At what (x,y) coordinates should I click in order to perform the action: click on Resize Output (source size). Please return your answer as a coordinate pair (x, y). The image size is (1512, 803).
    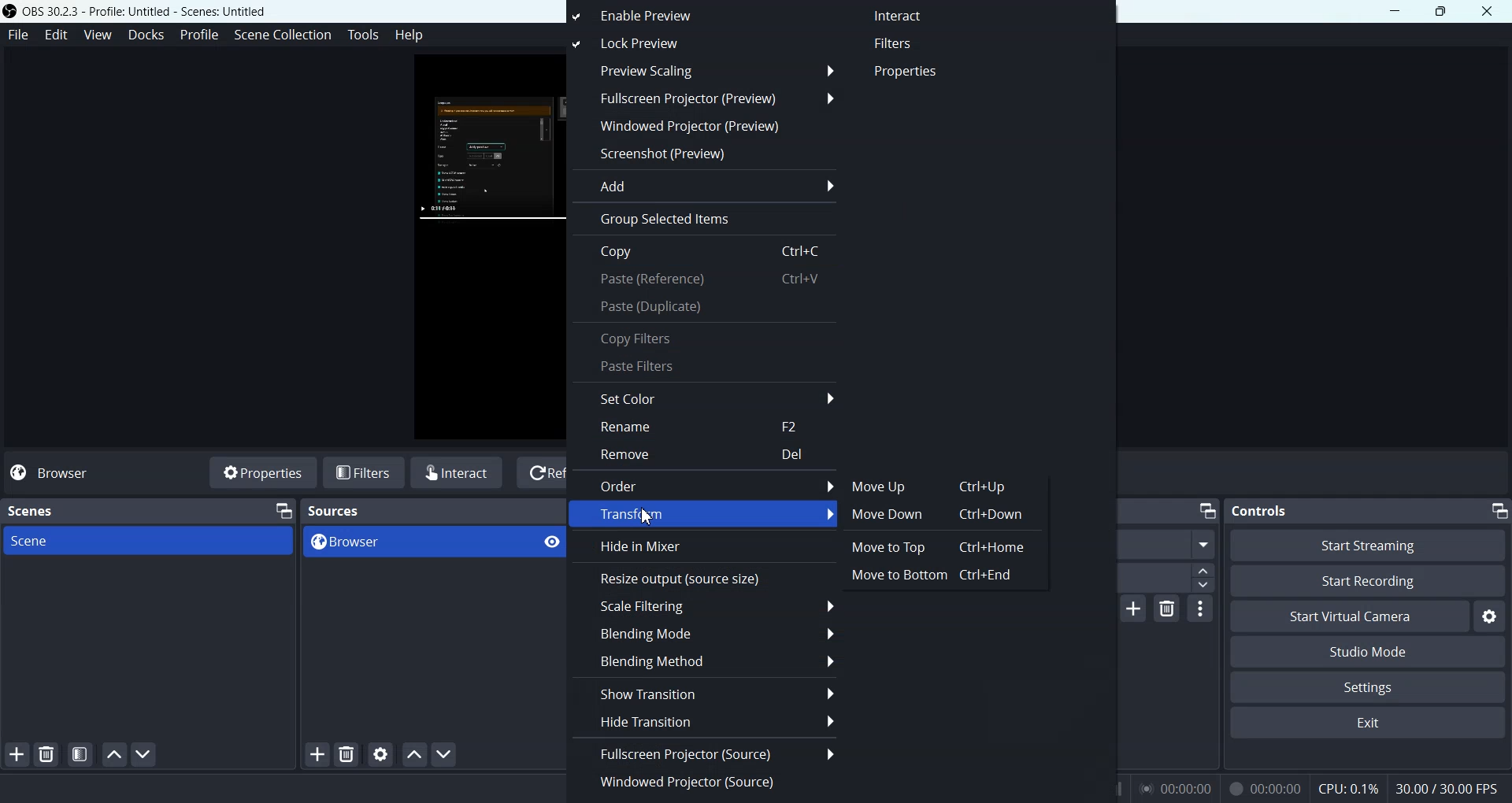
    Looking at the image, I should click on (704, 578).